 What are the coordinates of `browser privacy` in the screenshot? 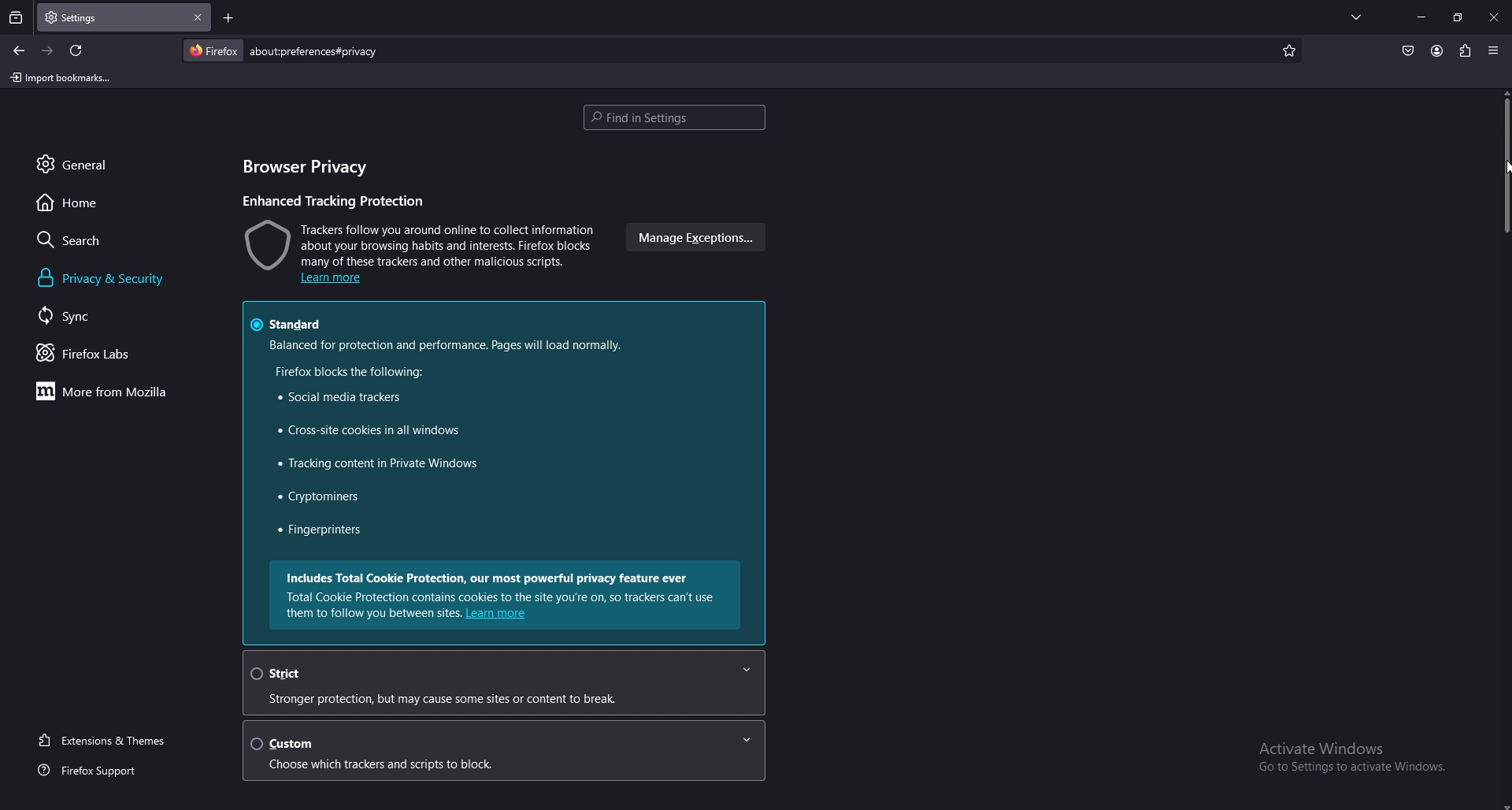 It's located at (303, 166).